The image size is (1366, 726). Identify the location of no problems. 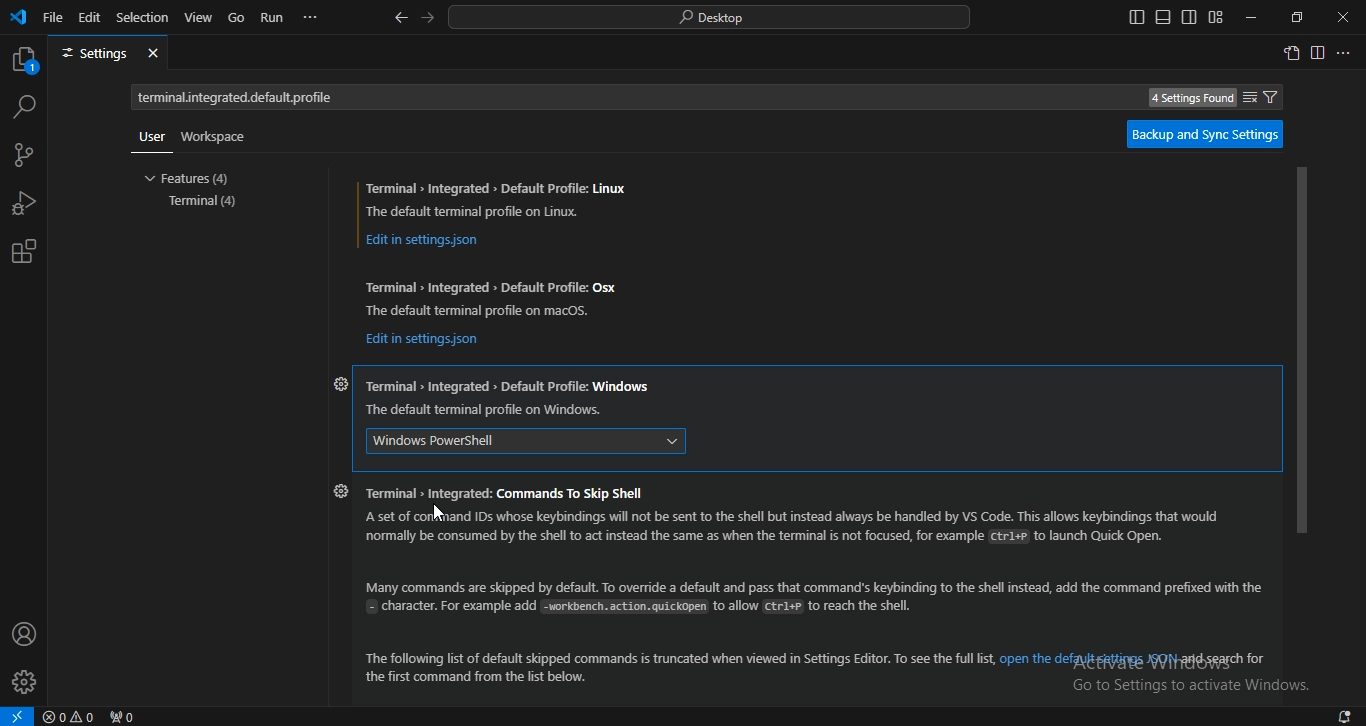
(70, 716).